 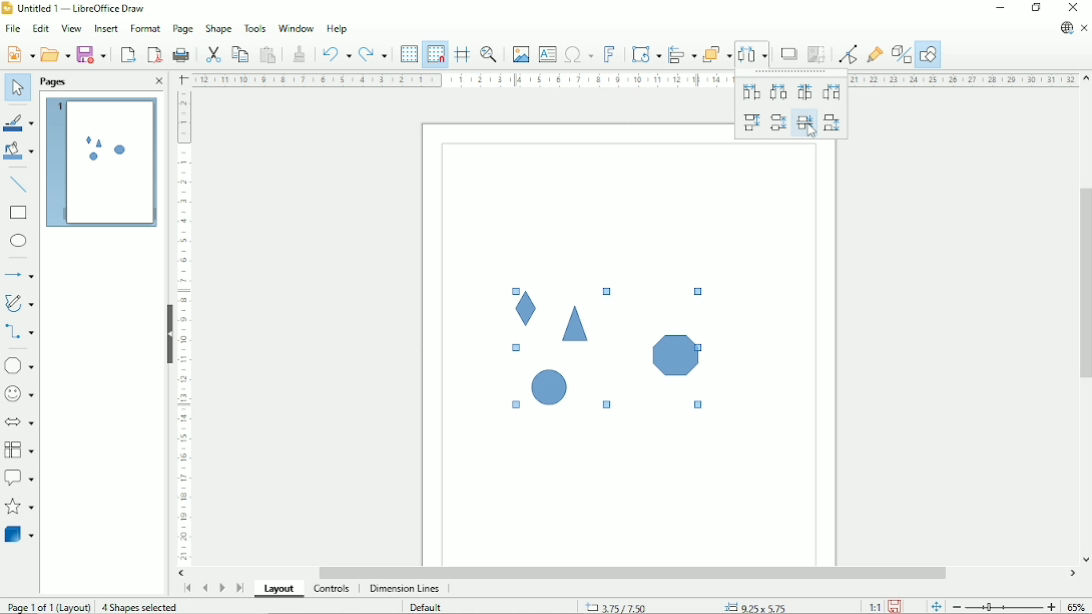 I want to click on Page, so click(x=181, y=29).